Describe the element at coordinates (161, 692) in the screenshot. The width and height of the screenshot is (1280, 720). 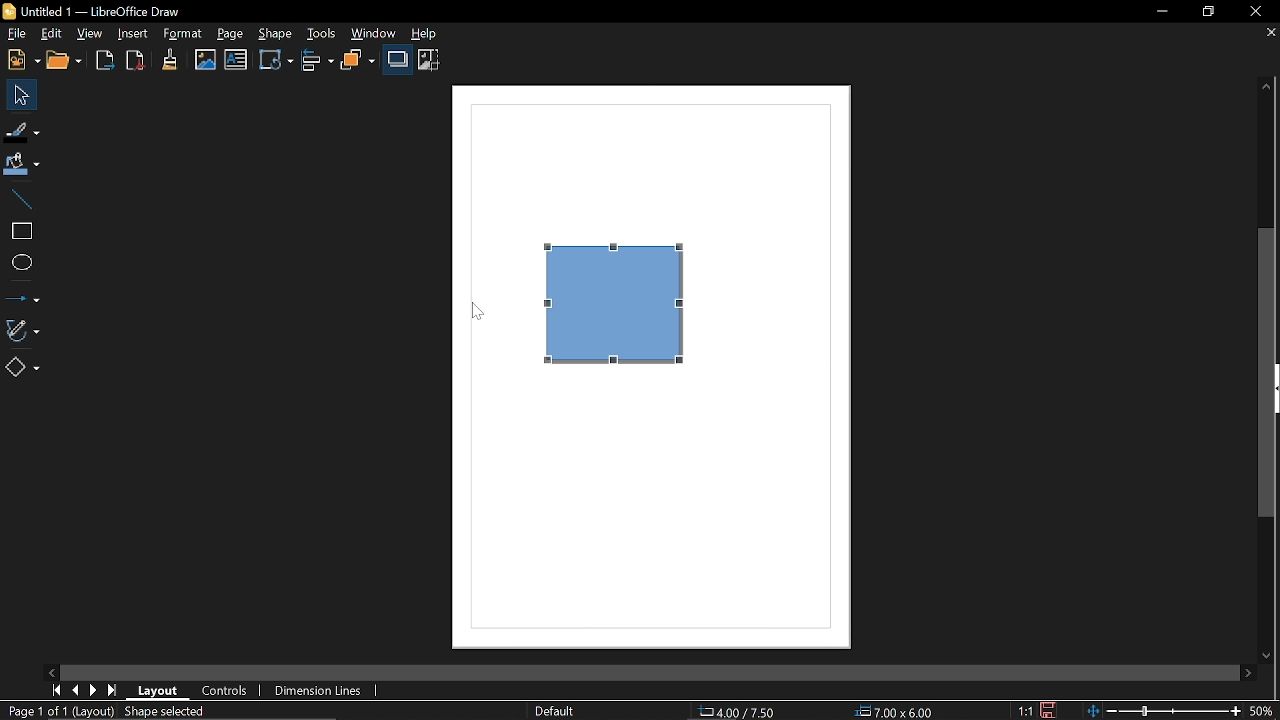
I see `Layout` at that location.